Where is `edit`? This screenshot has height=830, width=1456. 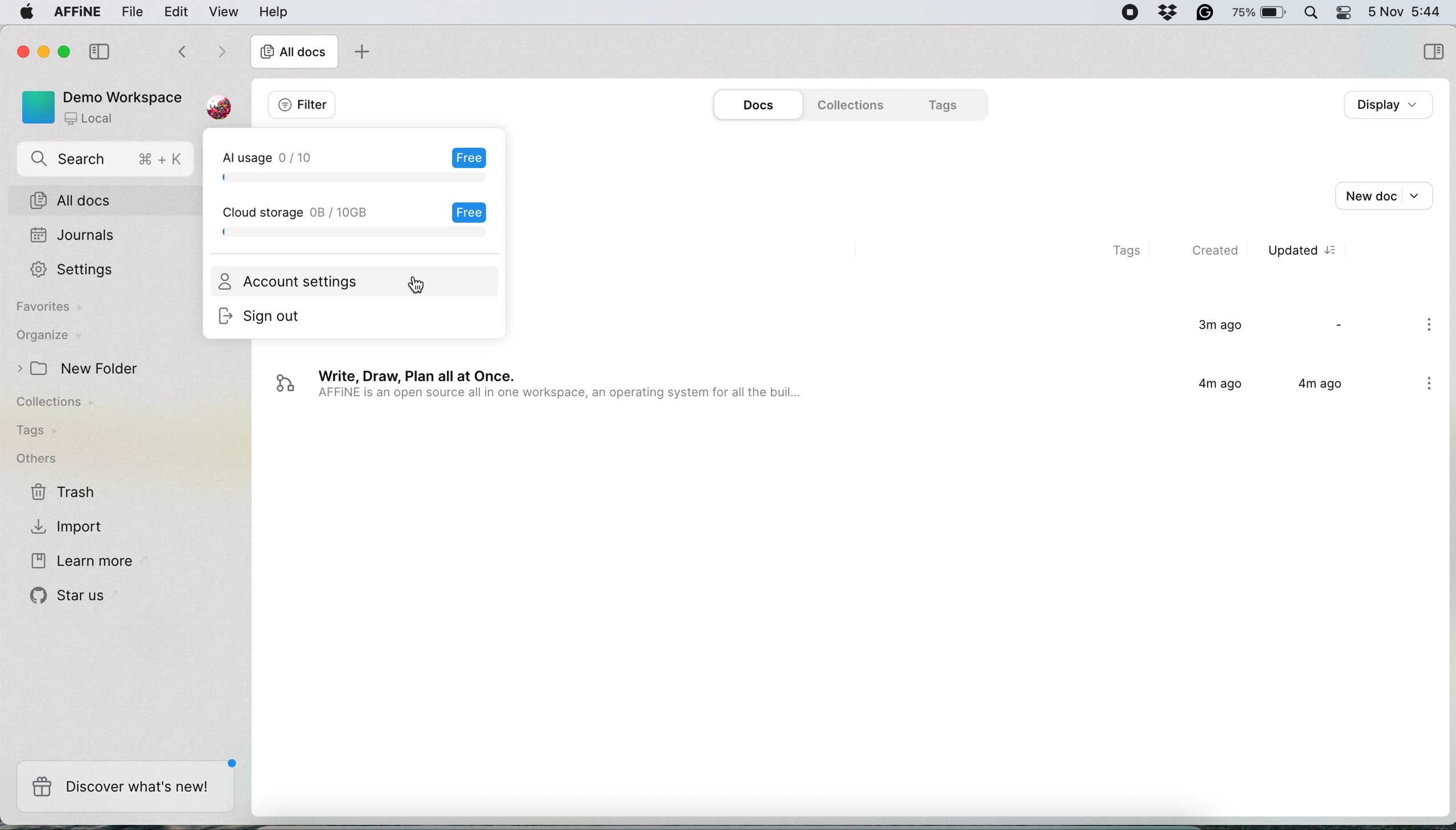
edit is located at coordinates (177, 11).